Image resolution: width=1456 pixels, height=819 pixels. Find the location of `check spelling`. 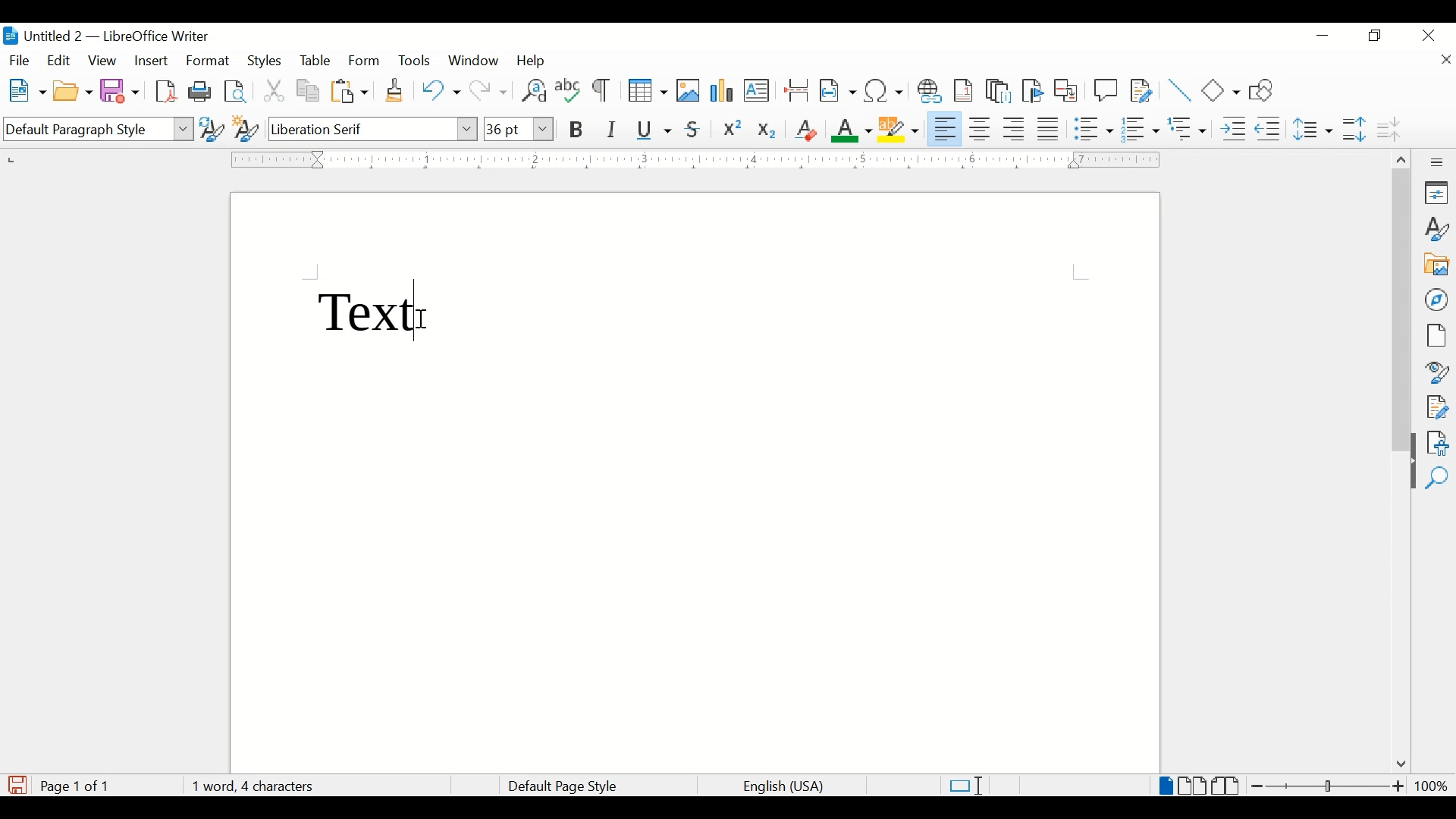

check spelling is located at coordinates (569, 89).